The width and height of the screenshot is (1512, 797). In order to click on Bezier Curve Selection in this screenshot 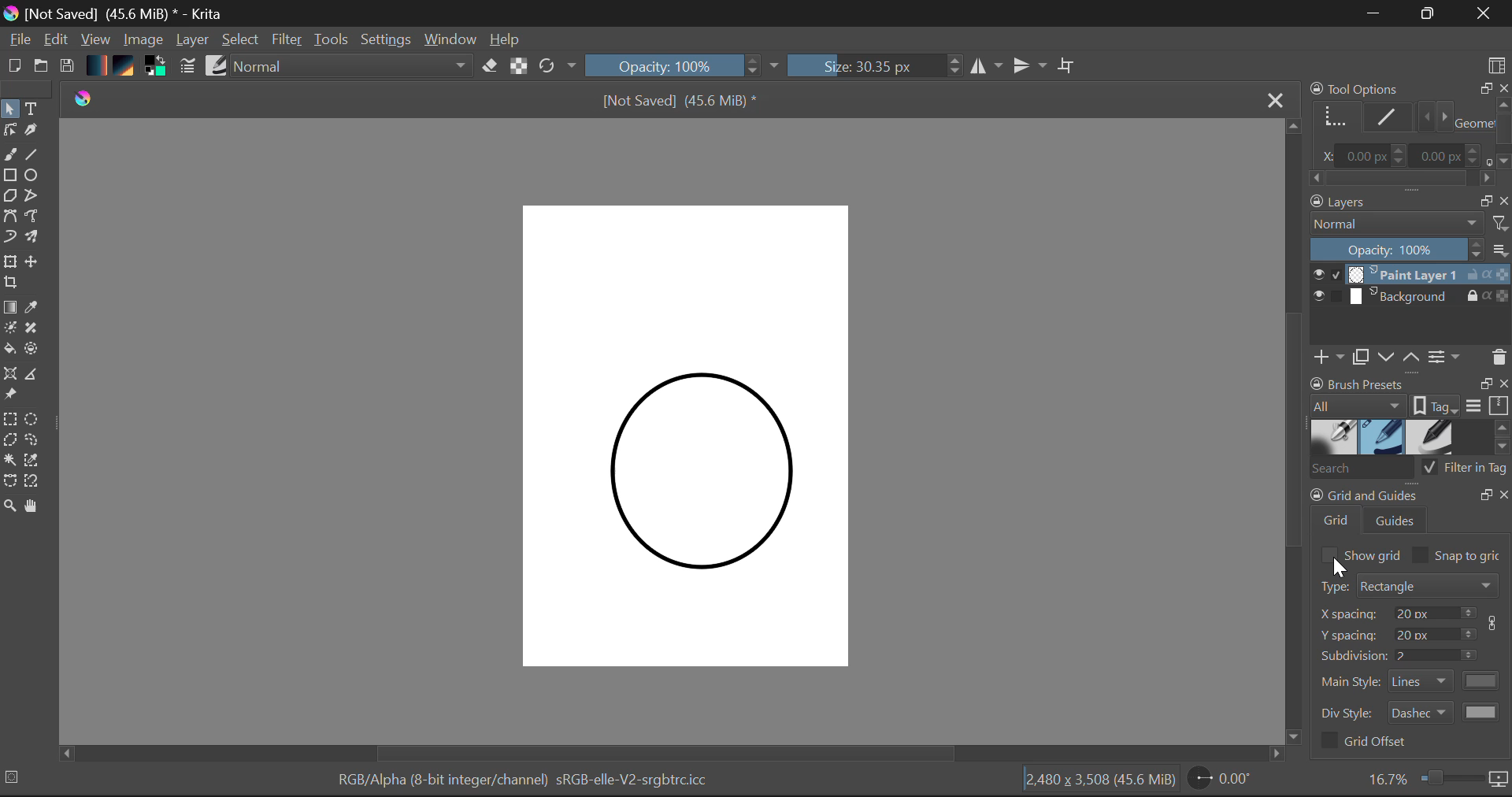, I will do `click(9, 480)`.